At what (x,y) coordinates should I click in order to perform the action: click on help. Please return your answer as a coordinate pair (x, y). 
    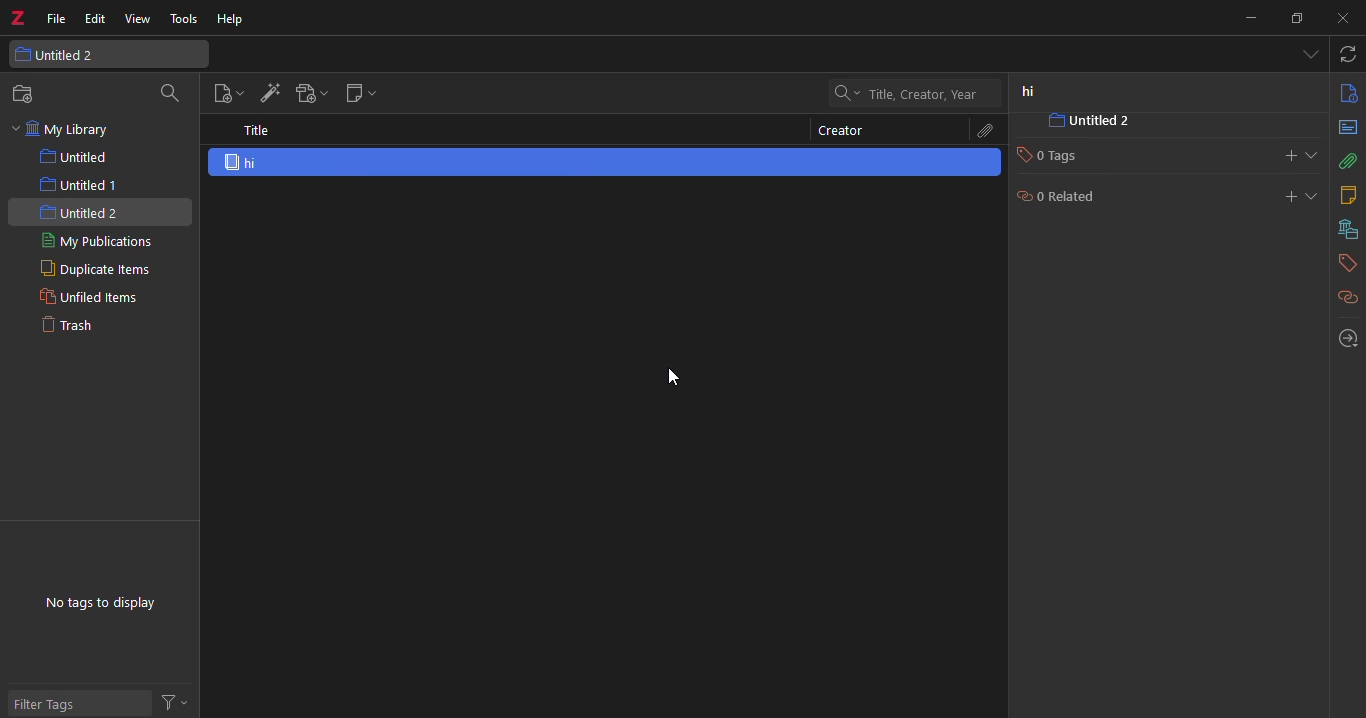
    Looking at the image, I should click on (232, 20).